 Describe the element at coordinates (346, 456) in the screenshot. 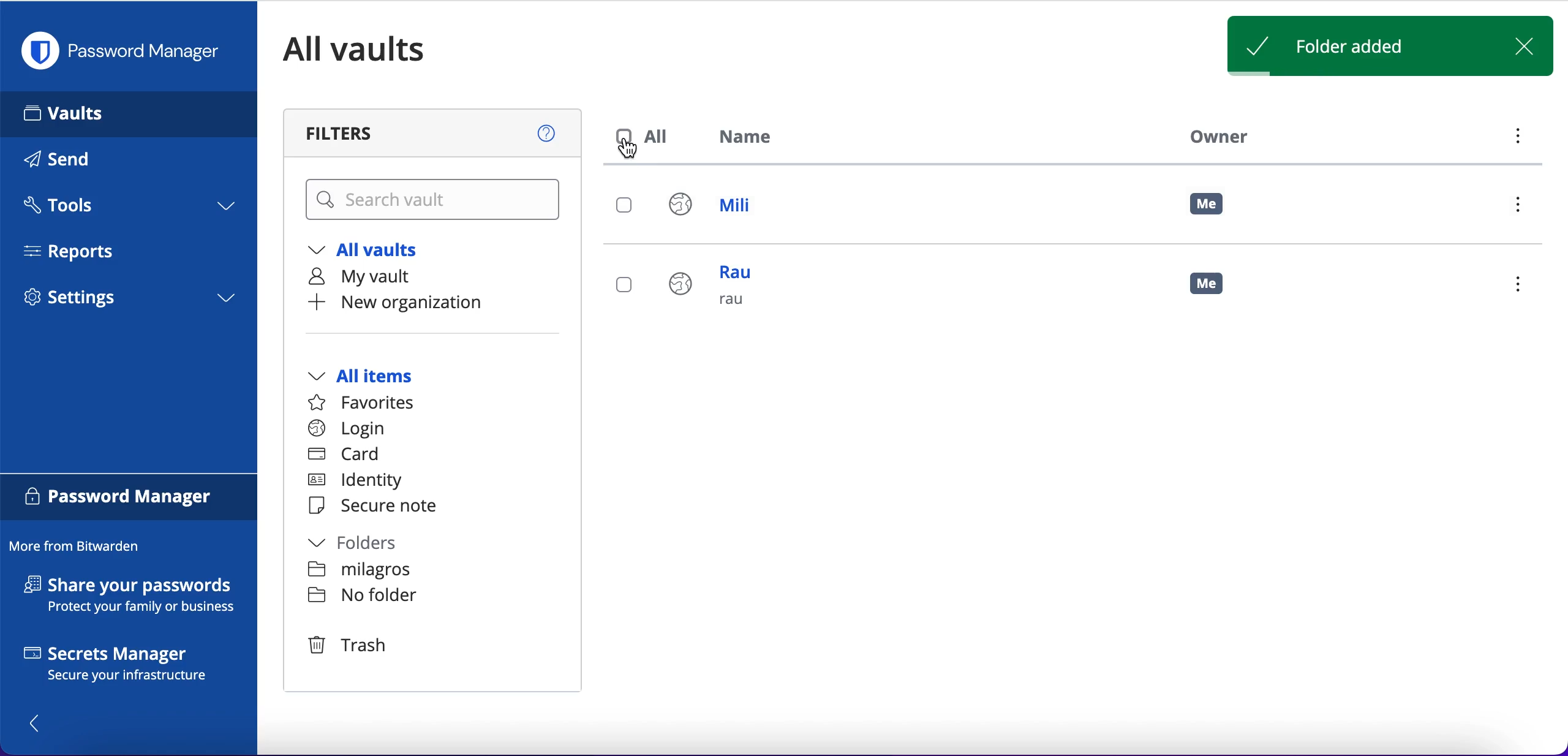

I see `card` at that location.